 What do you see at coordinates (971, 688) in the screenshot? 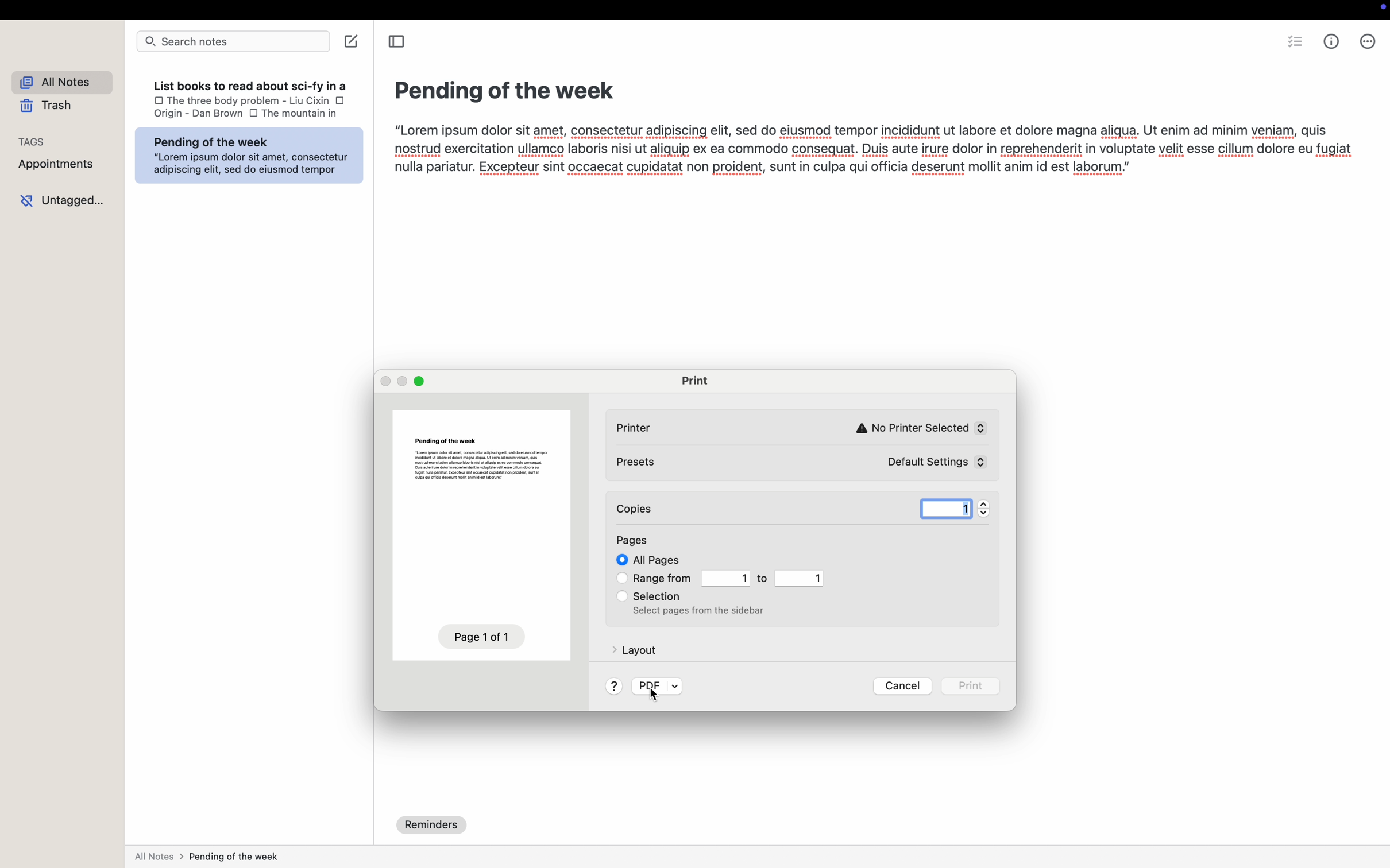
I see ` print` at bounding box center [971, 688].